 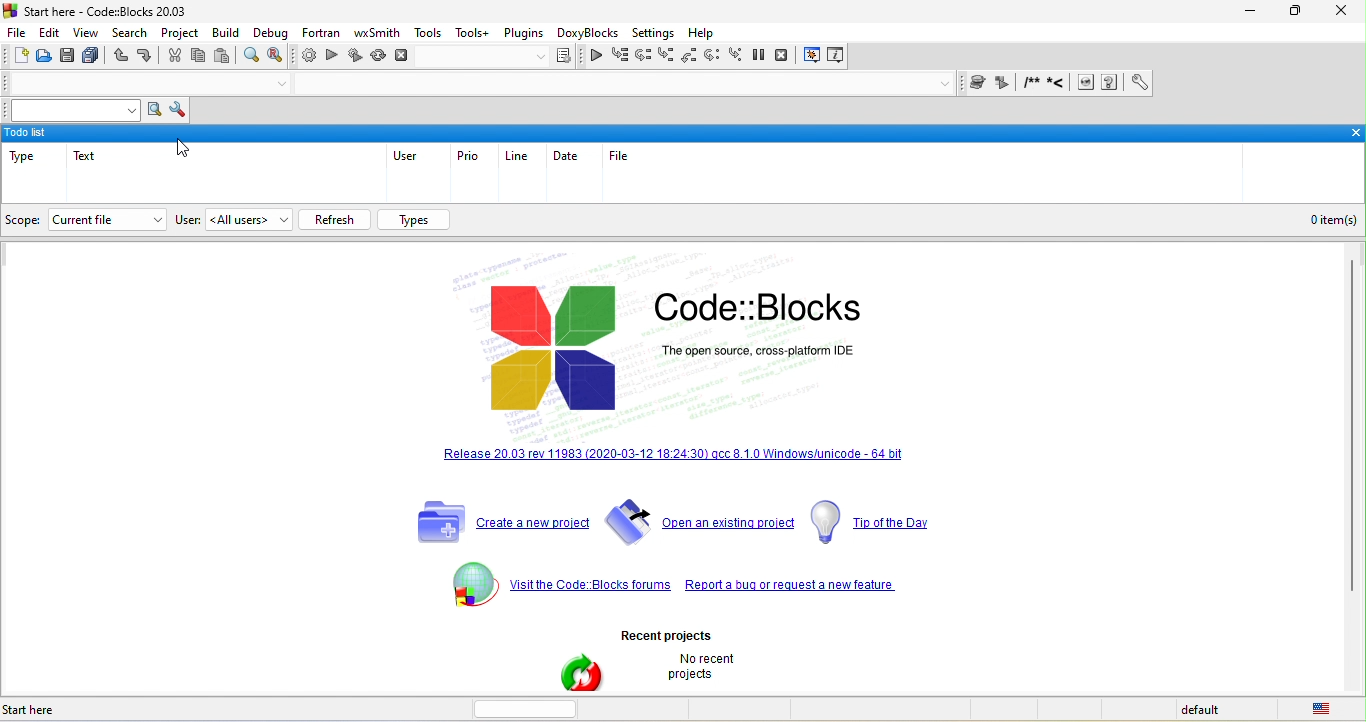 I want to click on stop debugger, so click(x=788, y=57).